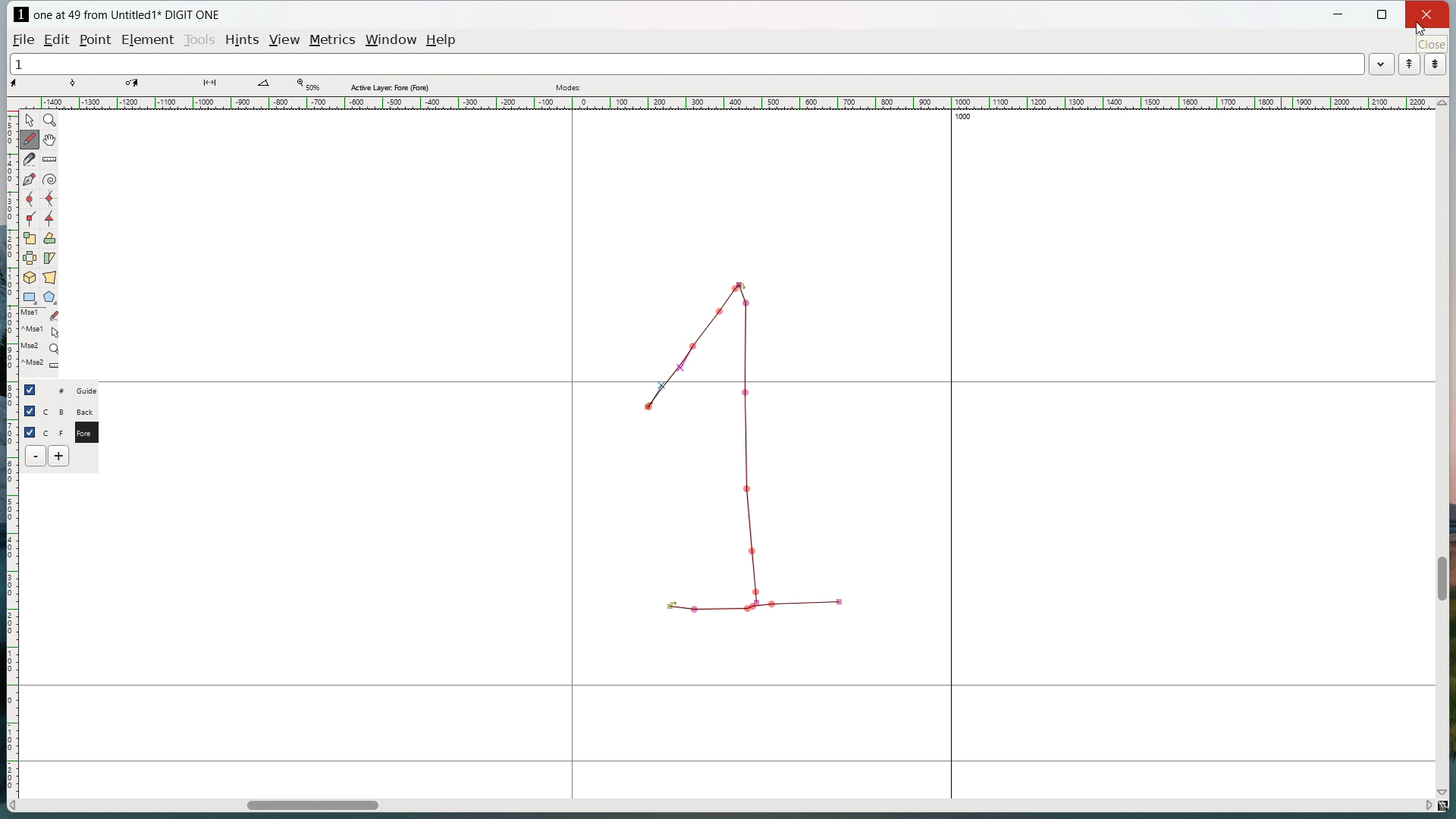 The image size is (1456, 819). I want to click on tangent, so click(89, 84).